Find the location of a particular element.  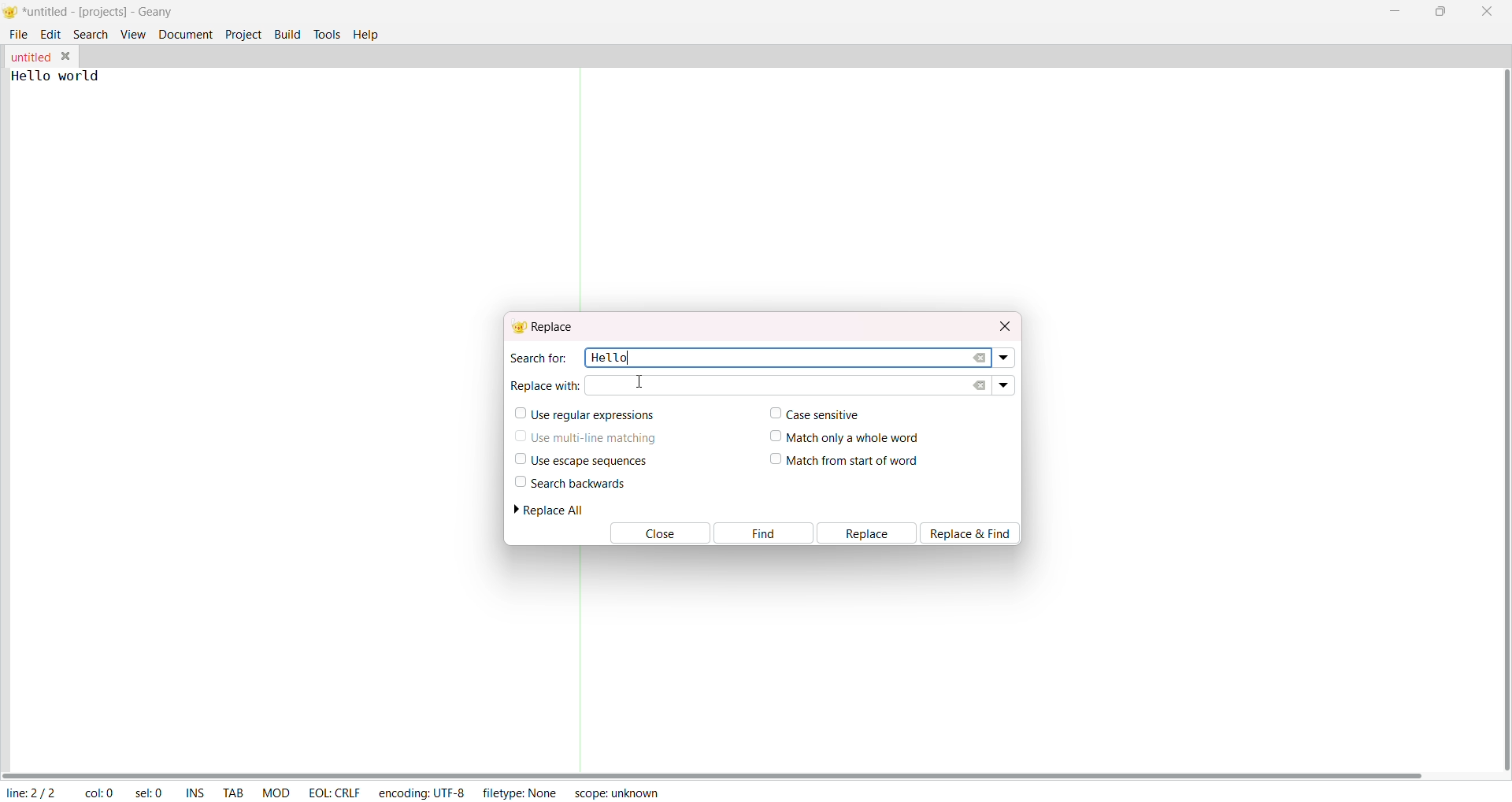

cursor is located at coordinates (641, 385).